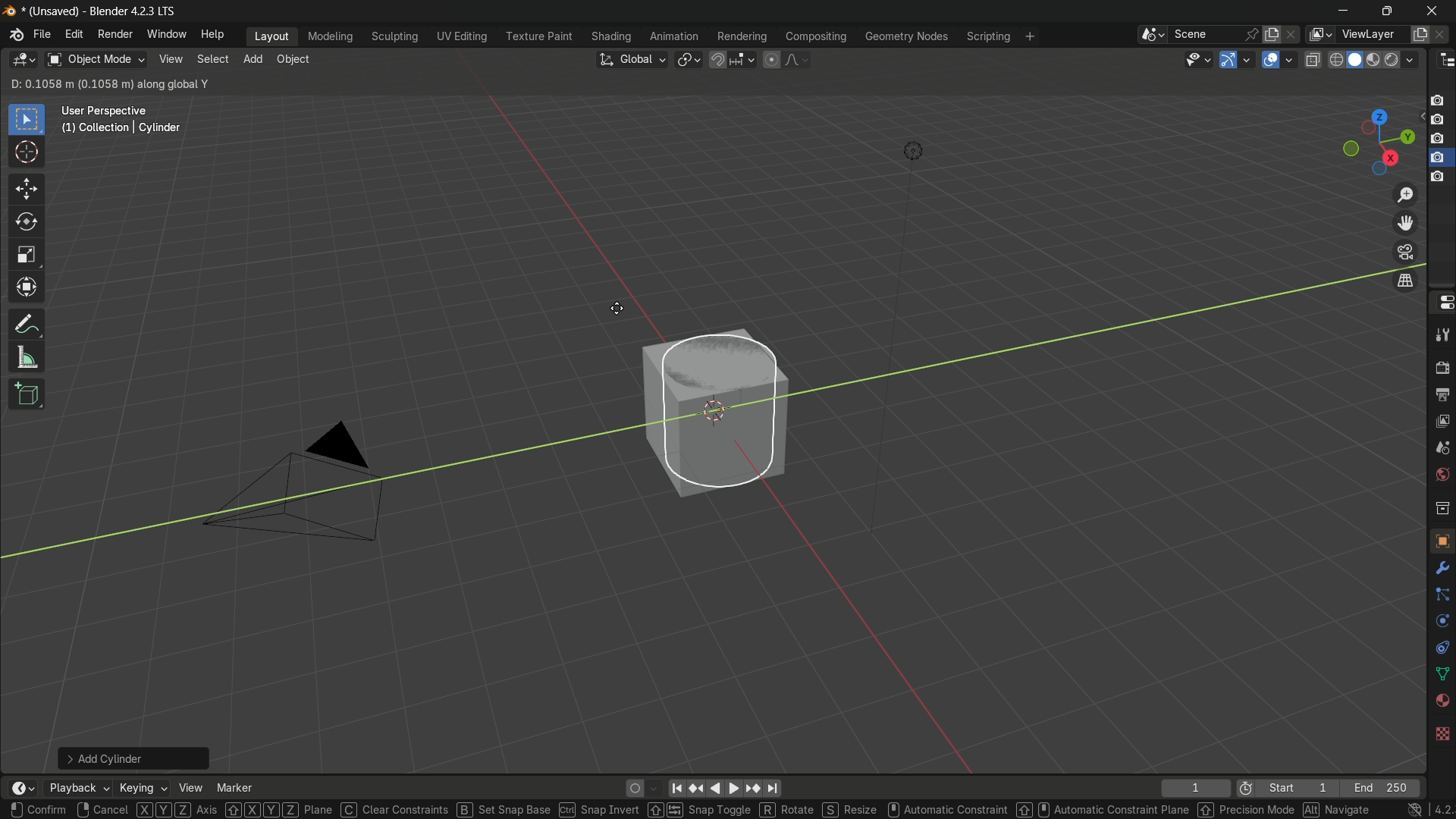  What do you see at coordinates (171, 59) in the screenshot?
I see `view` at bounding box center [171, 59].